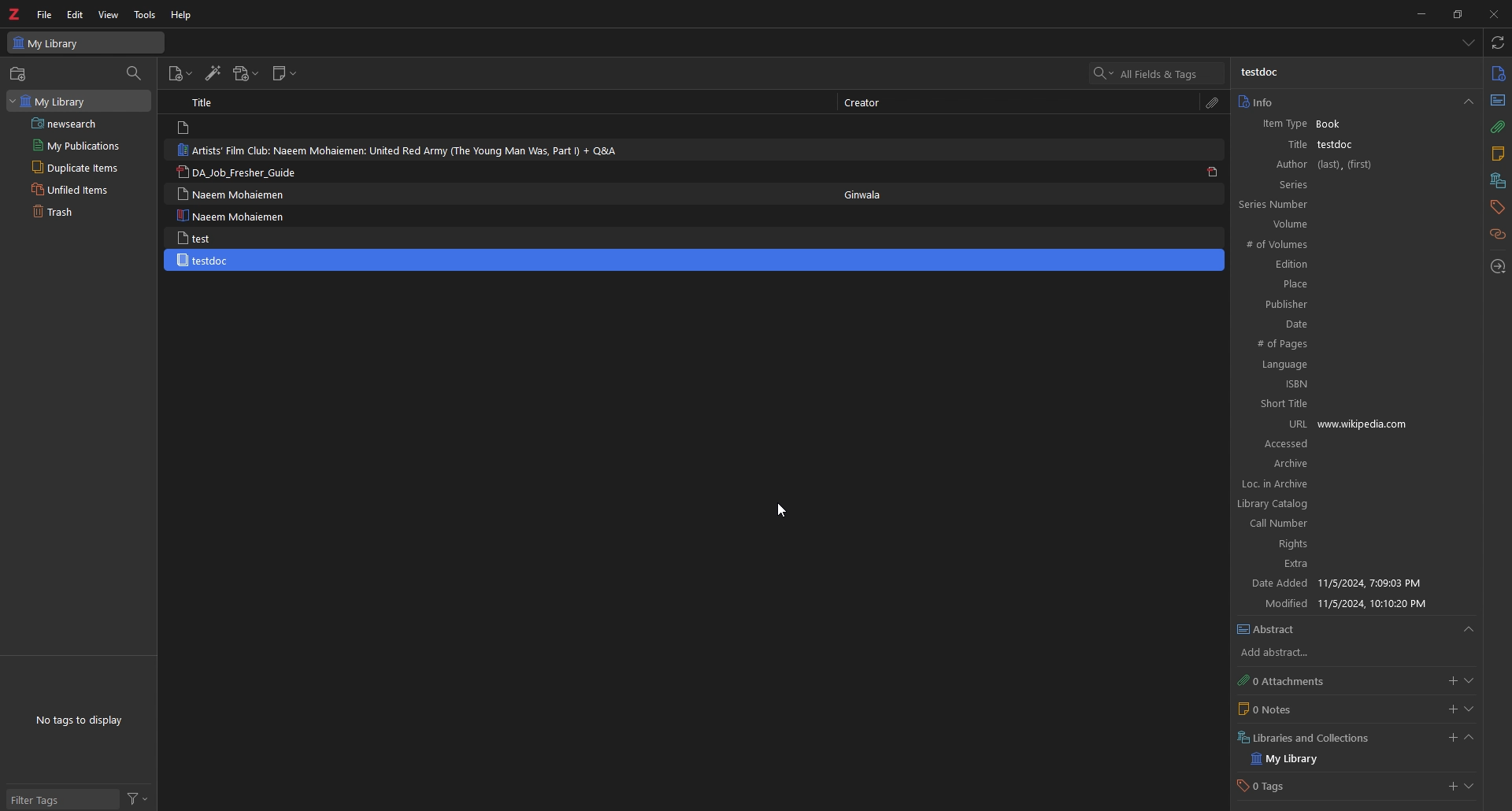 The width and height of the screenshot is (1512, 811). Describe the element at coordinates (1316, 206) in the screenshot. I see `Series Number` at that location.